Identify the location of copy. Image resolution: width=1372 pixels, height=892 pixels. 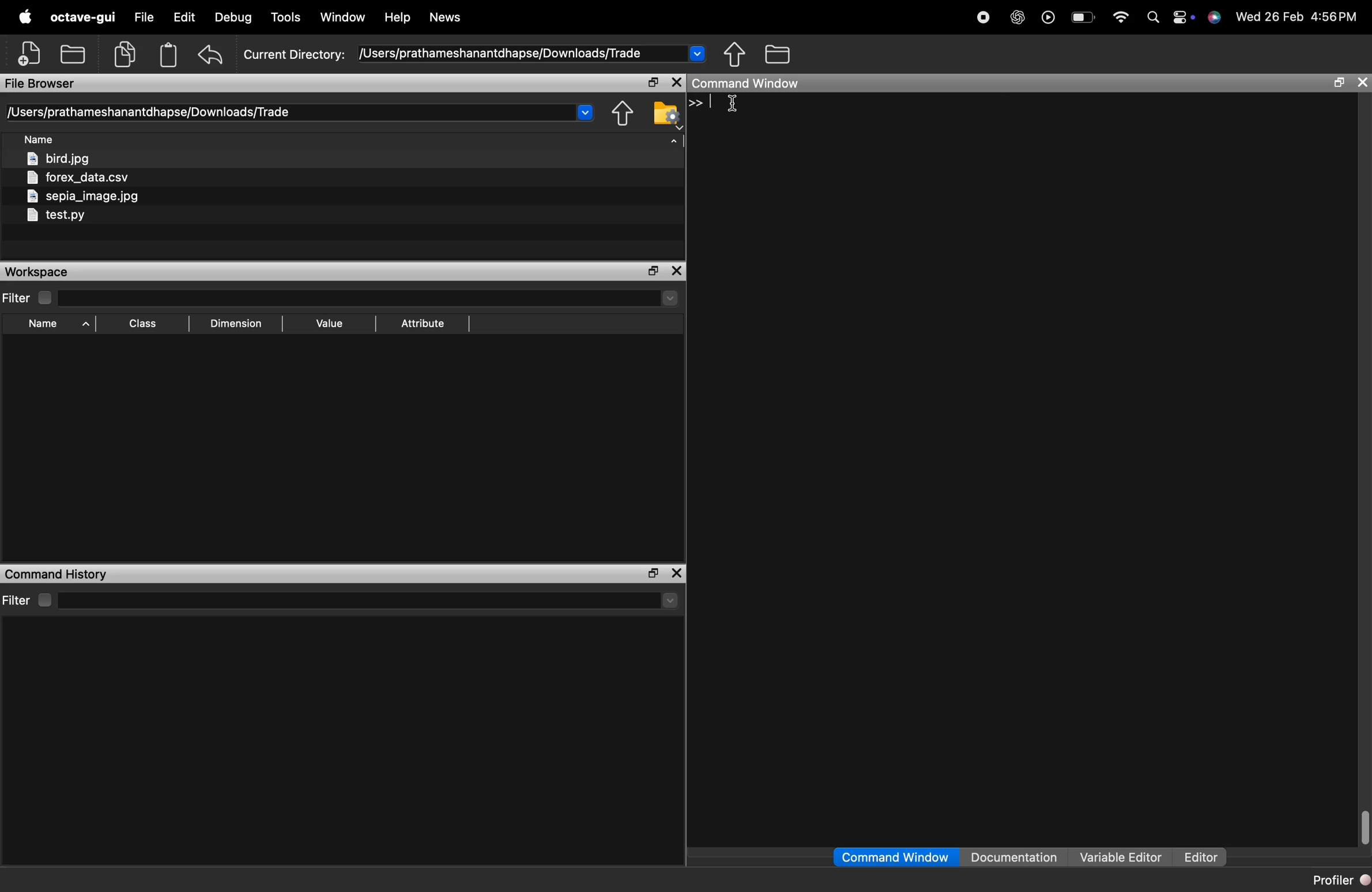
(126, 54).